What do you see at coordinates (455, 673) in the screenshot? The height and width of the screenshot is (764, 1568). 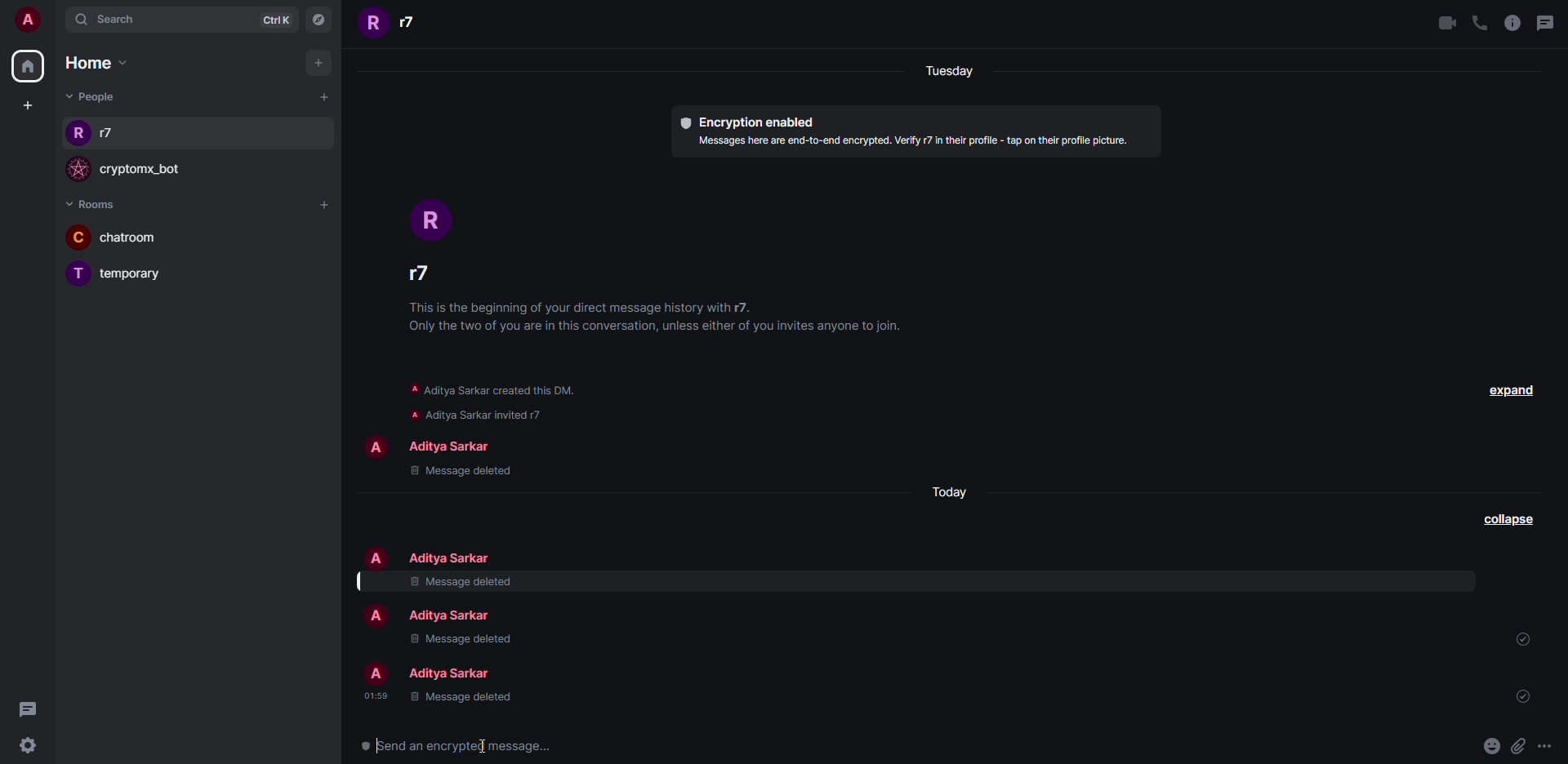 I see `people` at bounding box center [455, 673].